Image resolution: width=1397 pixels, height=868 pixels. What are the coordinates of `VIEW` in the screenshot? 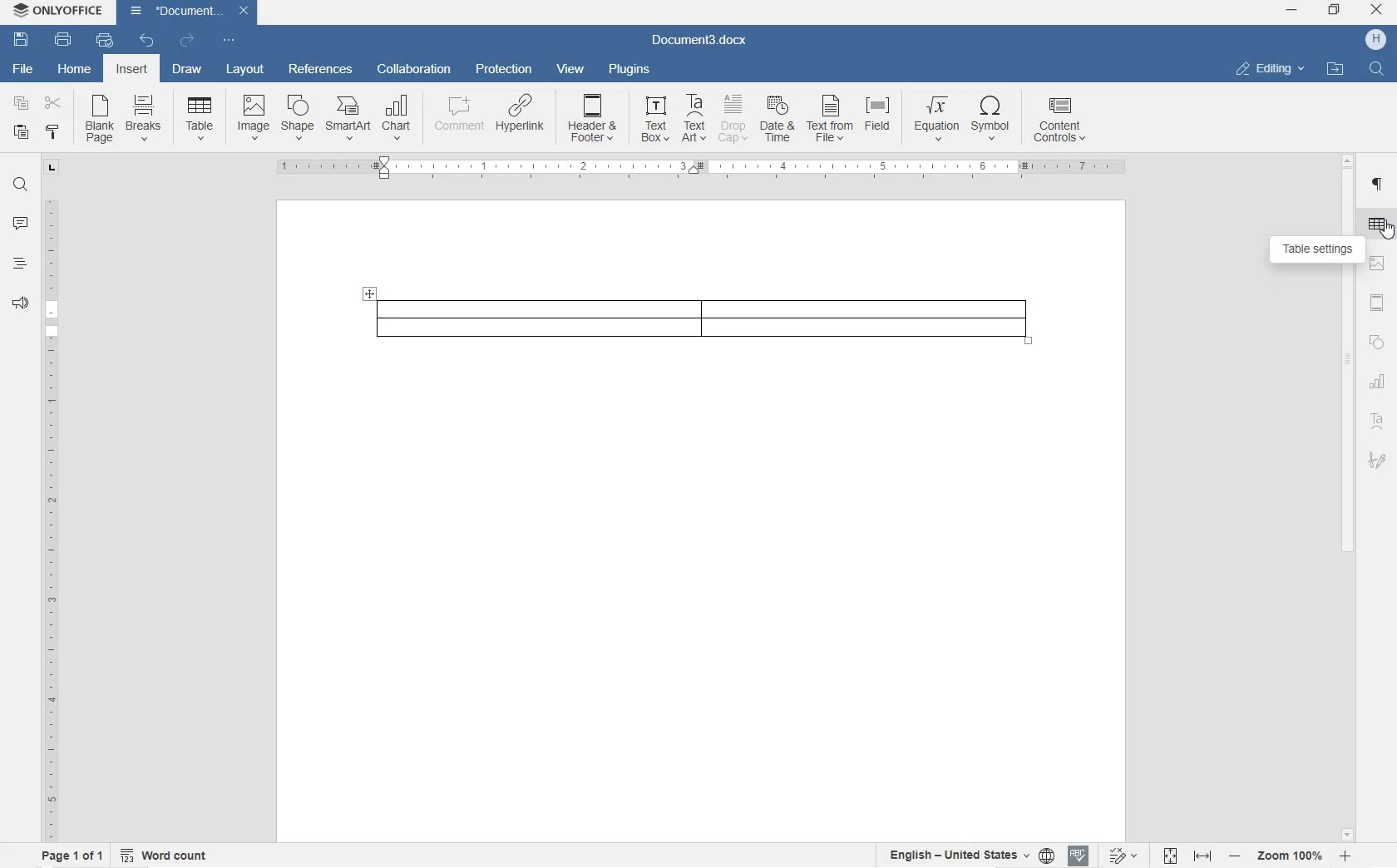 It's located at (570, 69).